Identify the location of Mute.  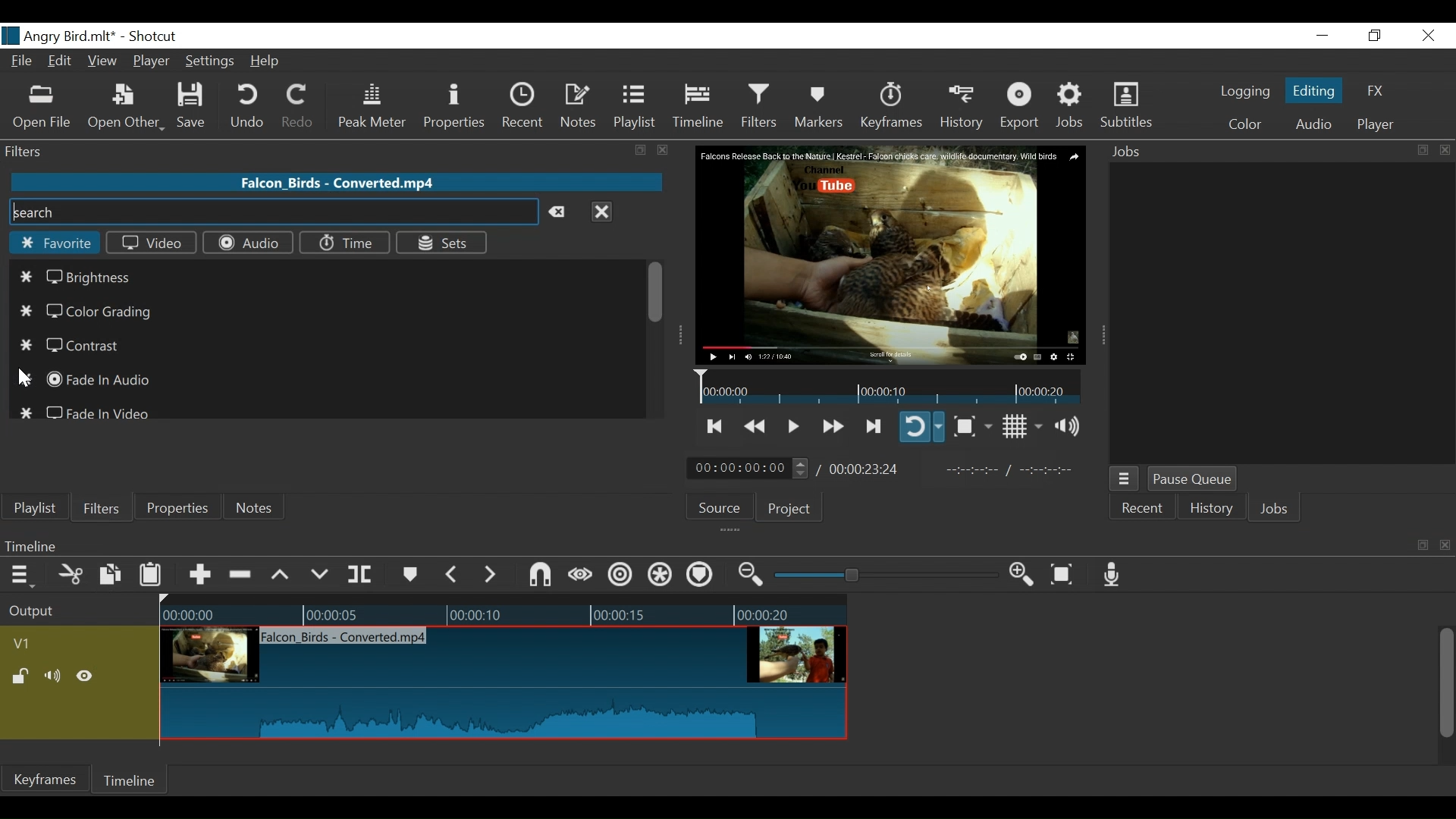
(55, 677).